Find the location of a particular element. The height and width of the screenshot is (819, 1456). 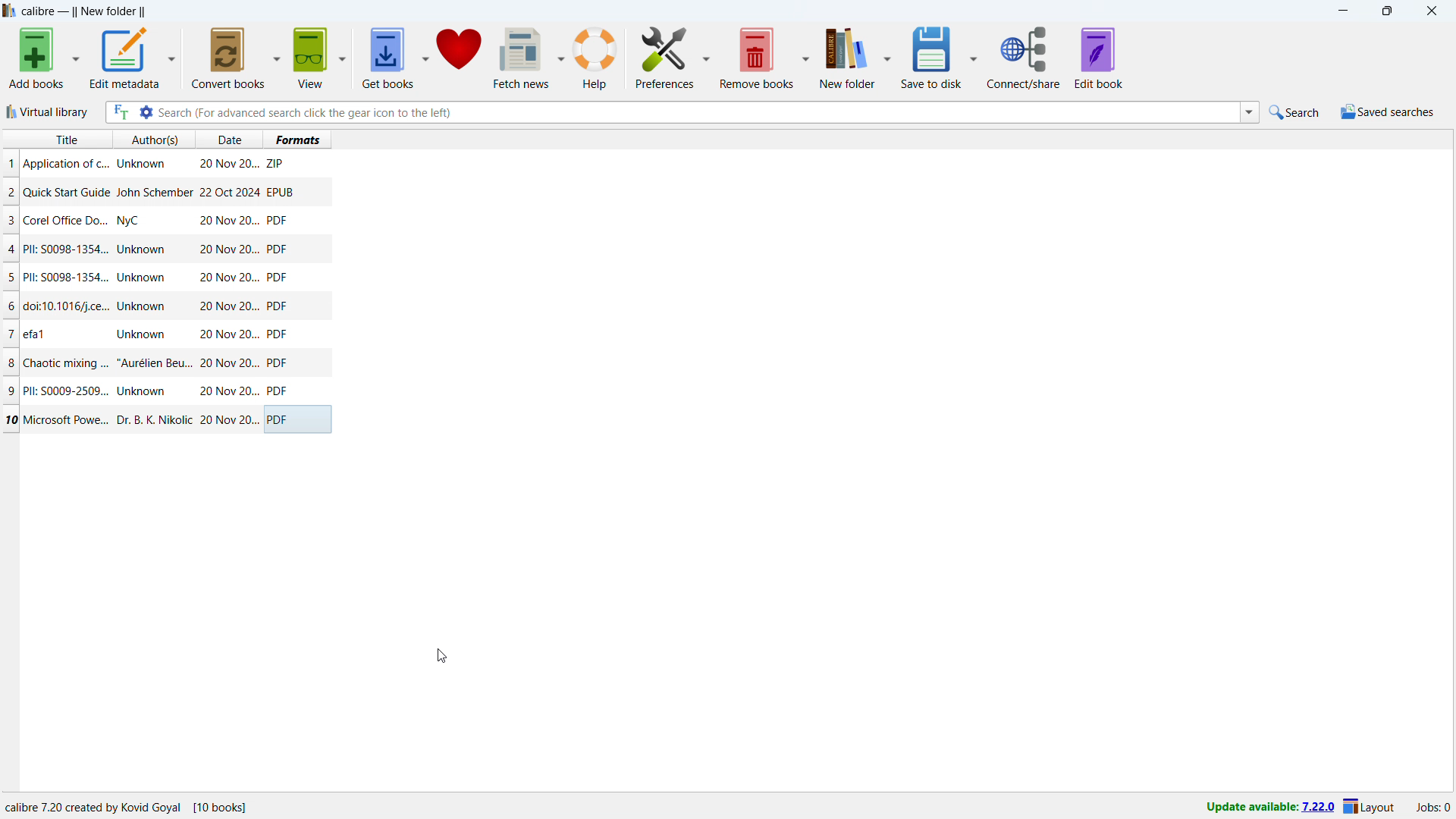

convert books options is located at coordinates (278, 58).